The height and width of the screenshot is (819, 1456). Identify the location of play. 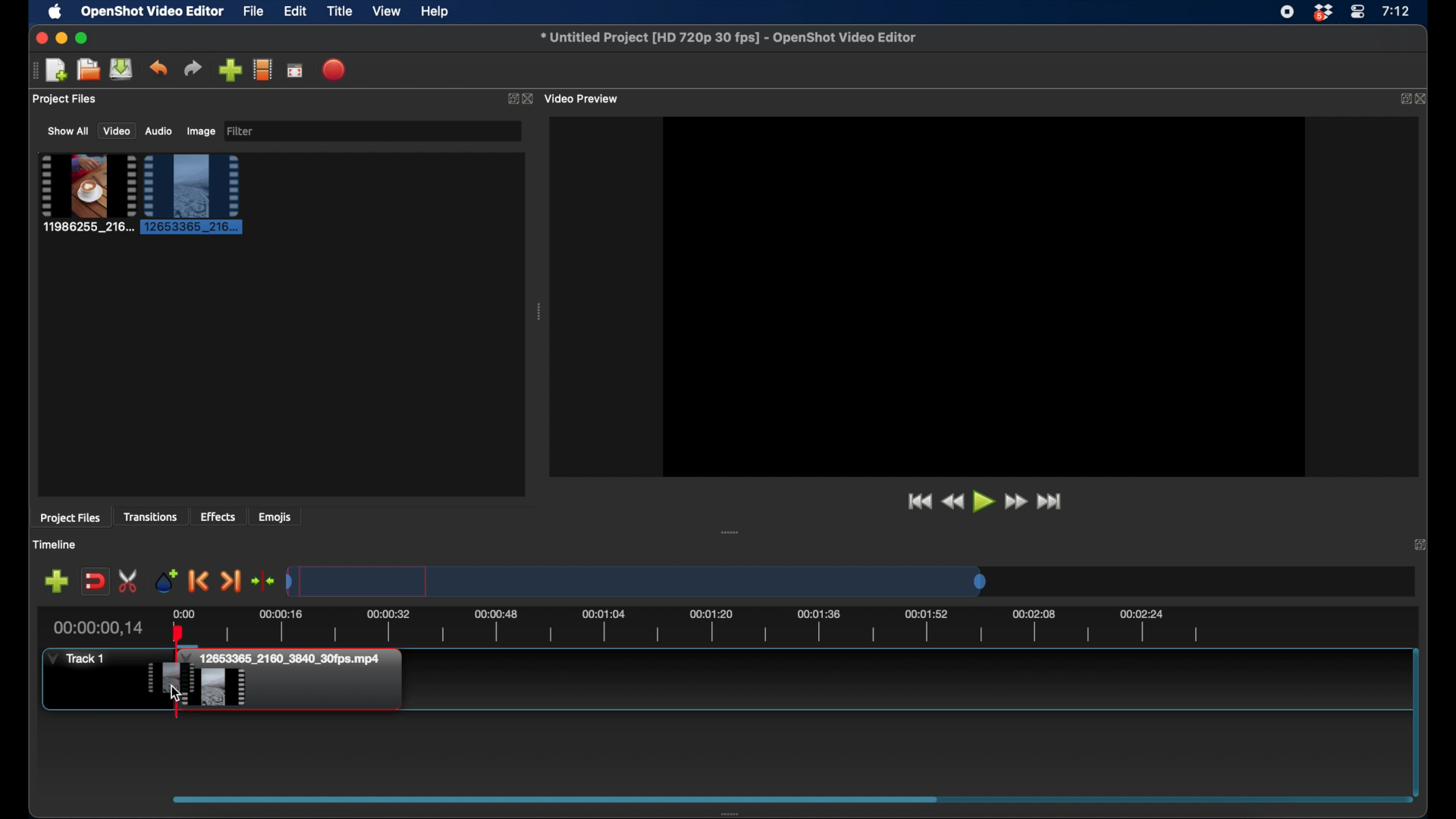
(984, 504).